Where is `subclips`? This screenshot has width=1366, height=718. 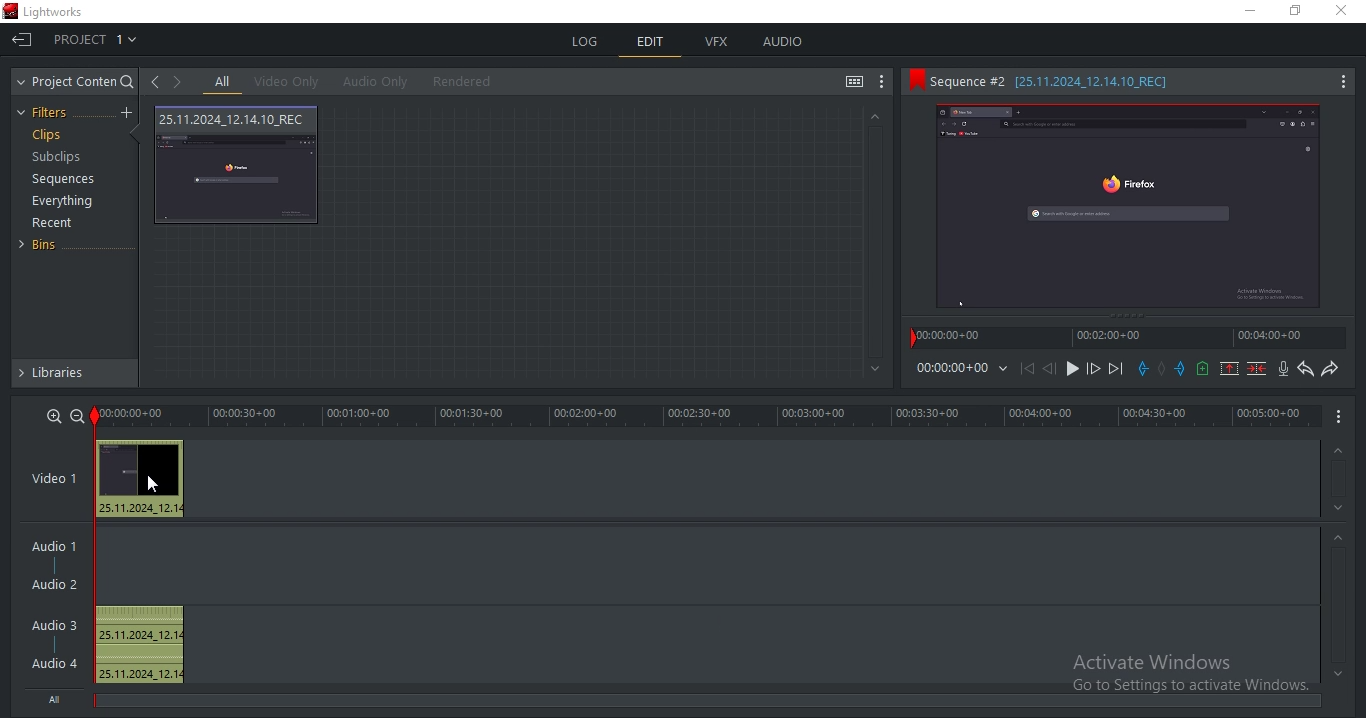 subclips is located at coordinates (55, 158).